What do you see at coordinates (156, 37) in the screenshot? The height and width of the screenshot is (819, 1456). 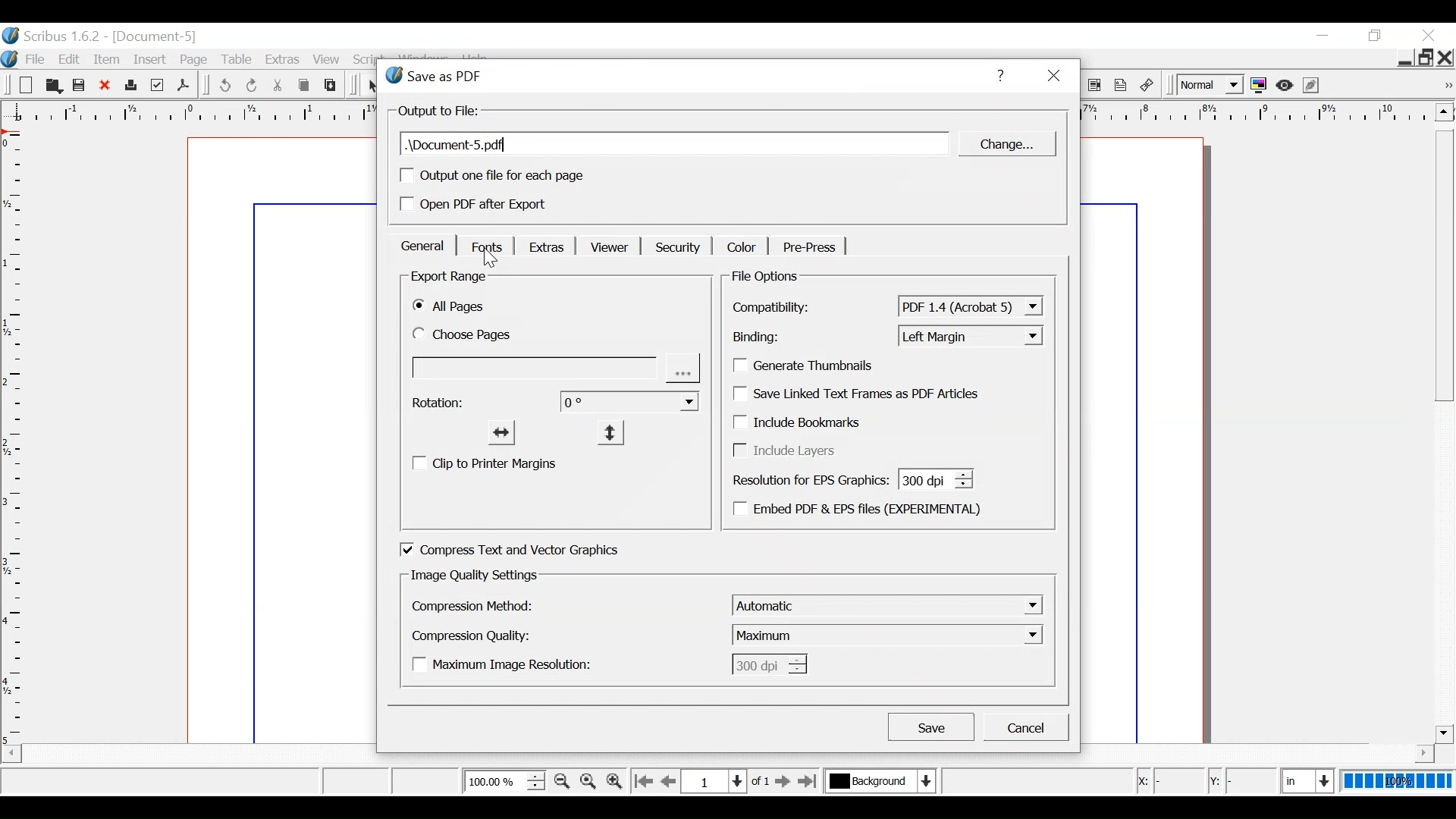 I see `Document name` at bounding box center [156, 37].